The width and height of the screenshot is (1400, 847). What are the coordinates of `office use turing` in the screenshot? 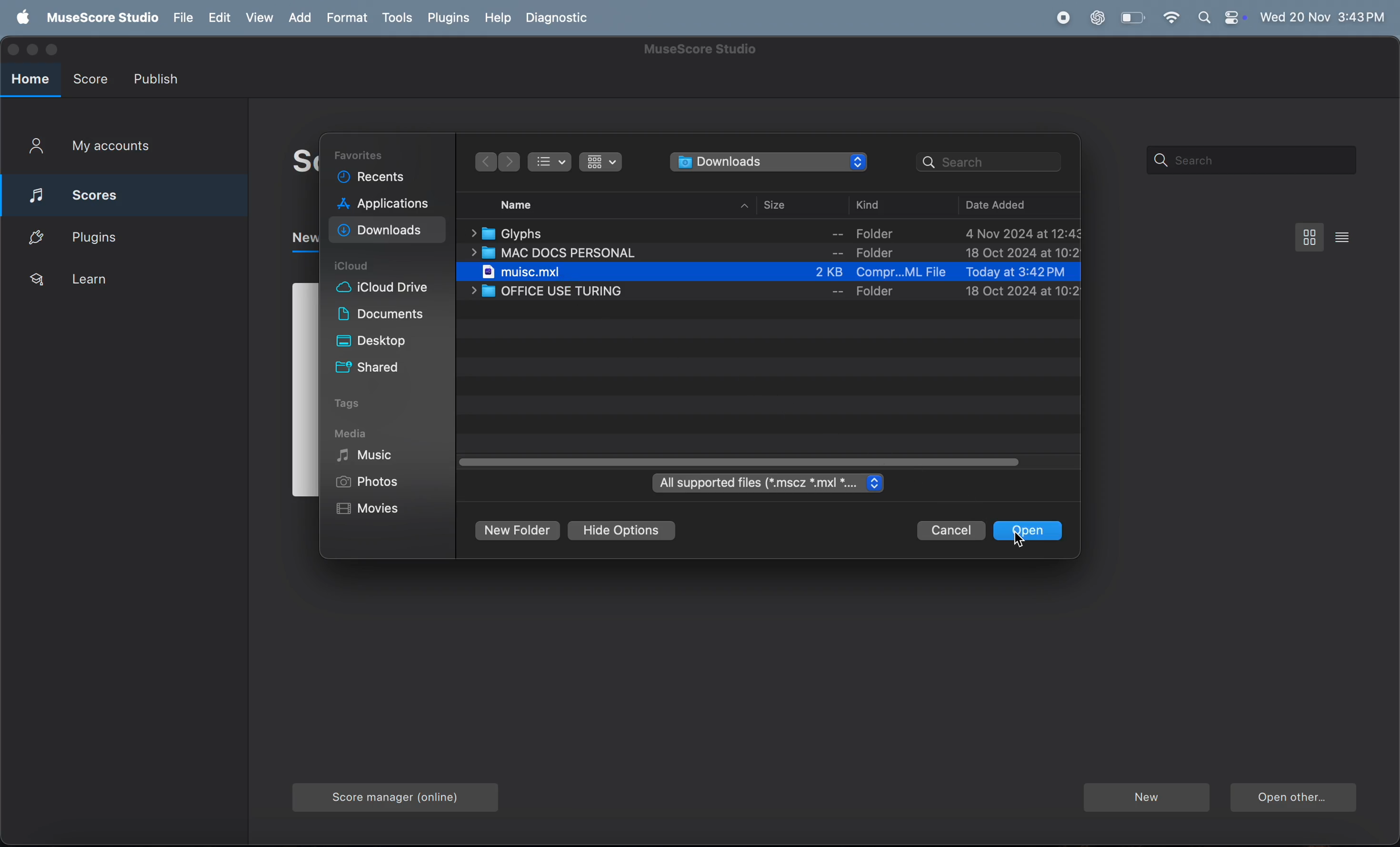 It's located at (766, 293).